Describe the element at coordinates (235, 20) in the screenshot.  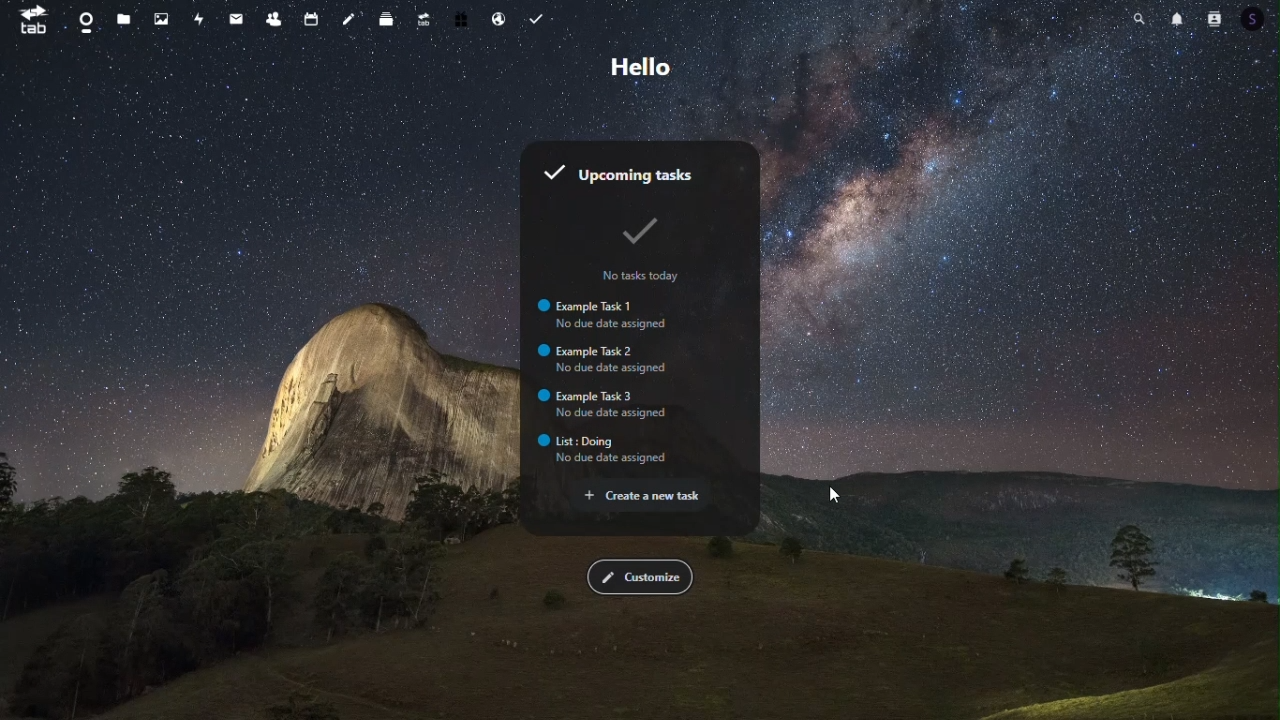
I see `mail` at that location.